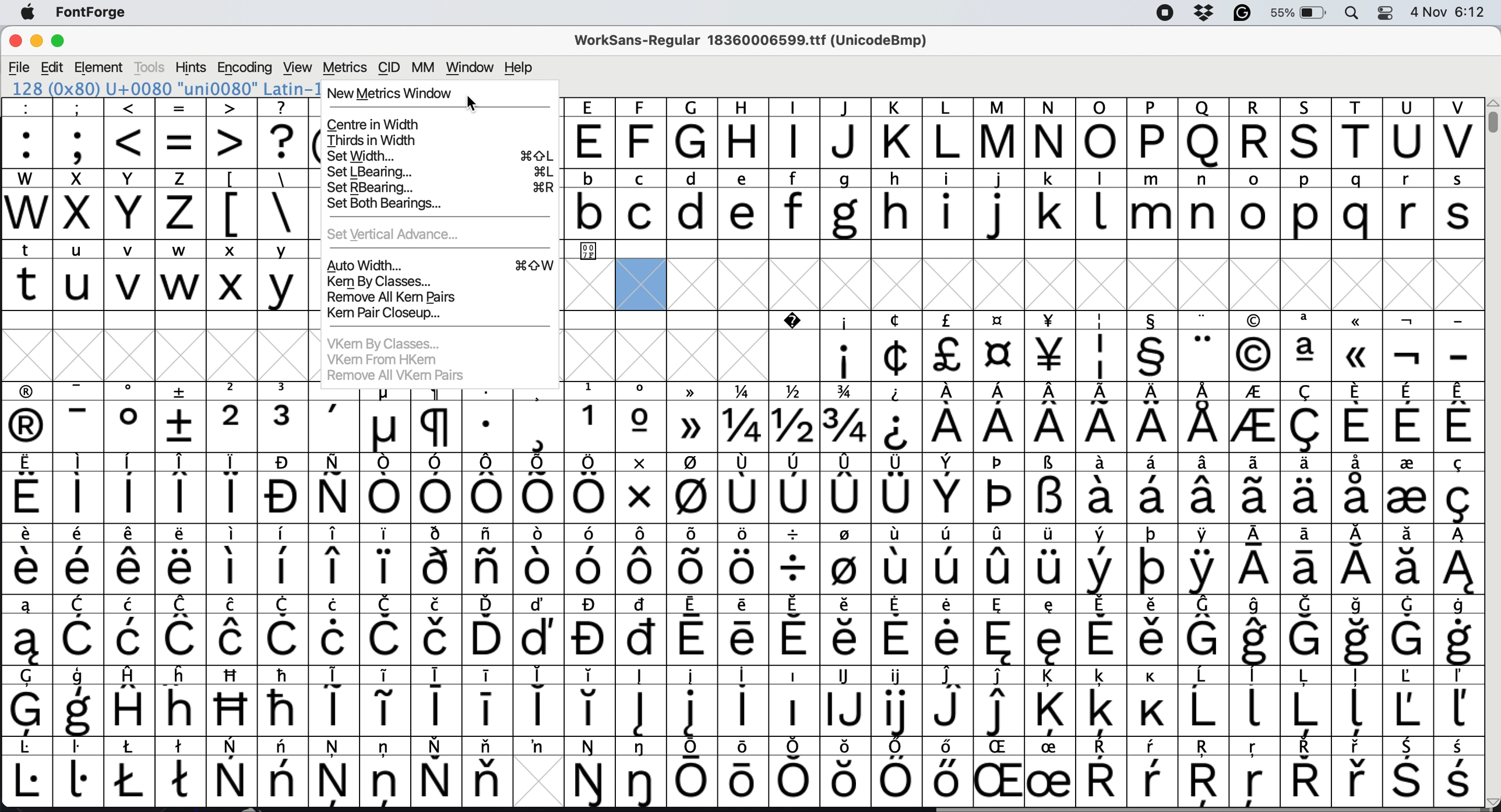 Image resolution: width=1501 pixels, height=812 pixels. What do you see at coordinates (20, 65) in the screenshot?
I see `File` at bounding box center [20, 65].